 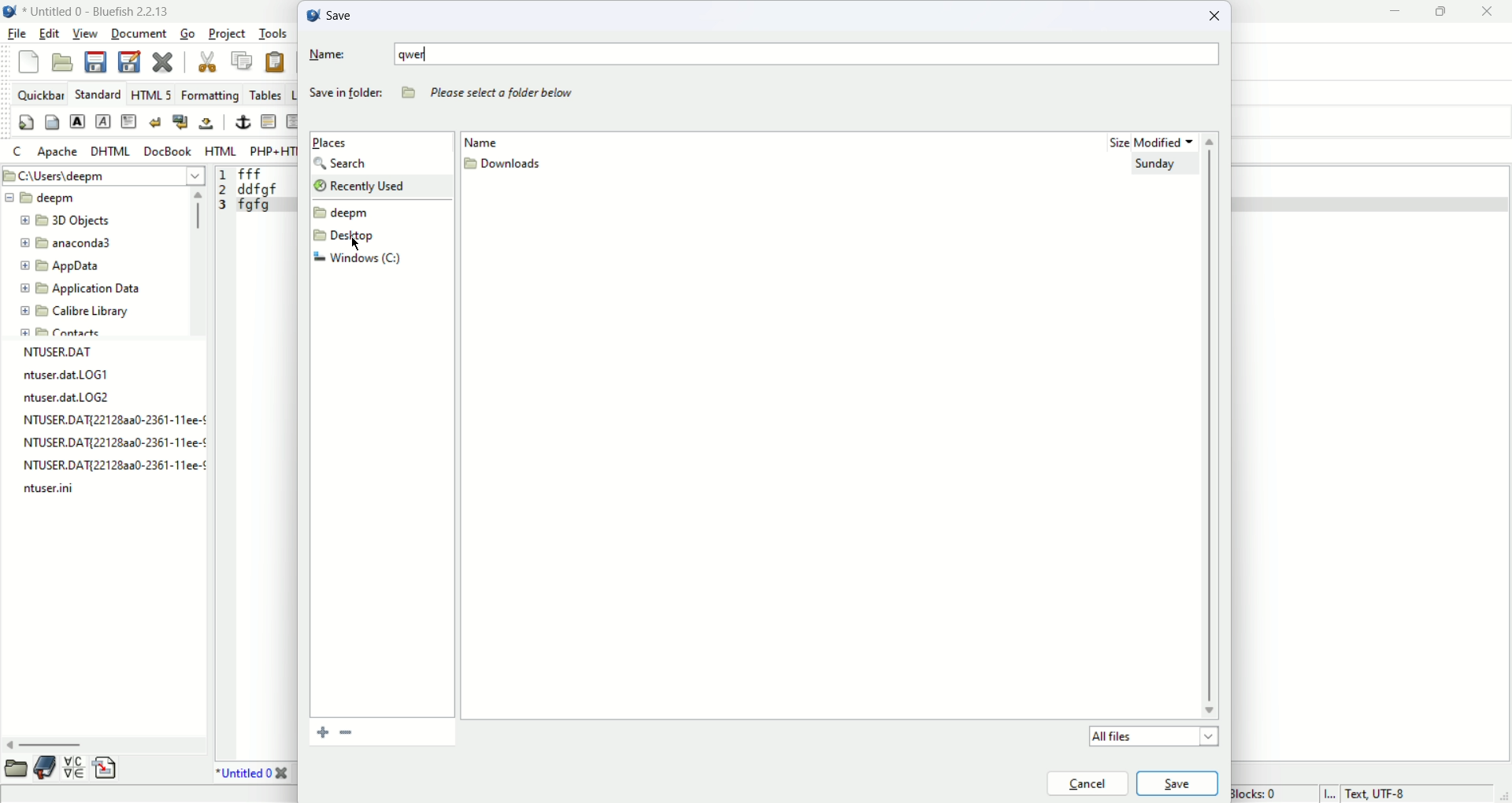 What do you see at coordinates (222, 193) in the screenshot?
I see `line number` at bounding box center [222, 193].